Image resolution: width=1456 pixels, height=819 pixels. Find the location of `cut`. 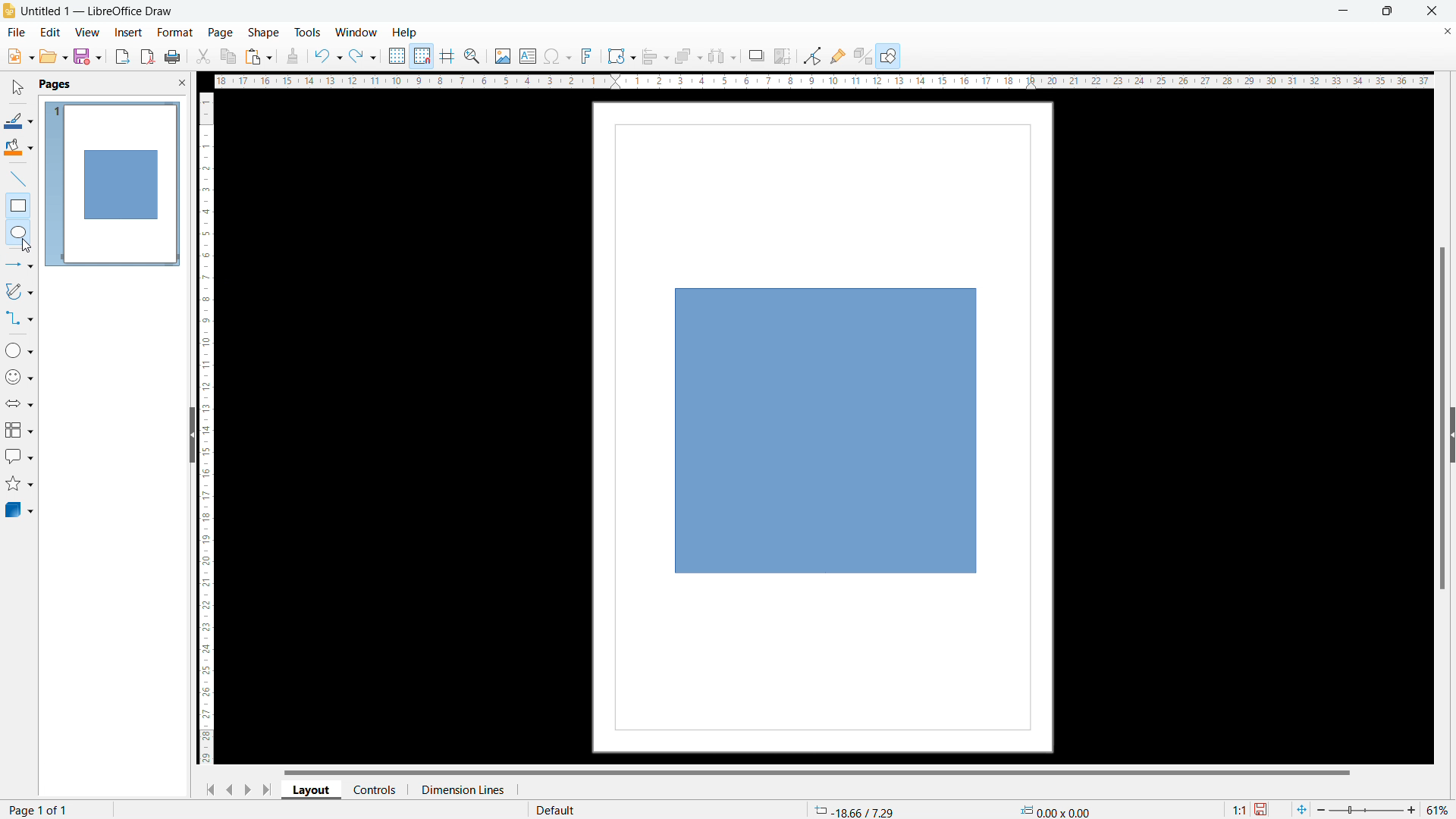

cut is located at coordinates (204, 56).